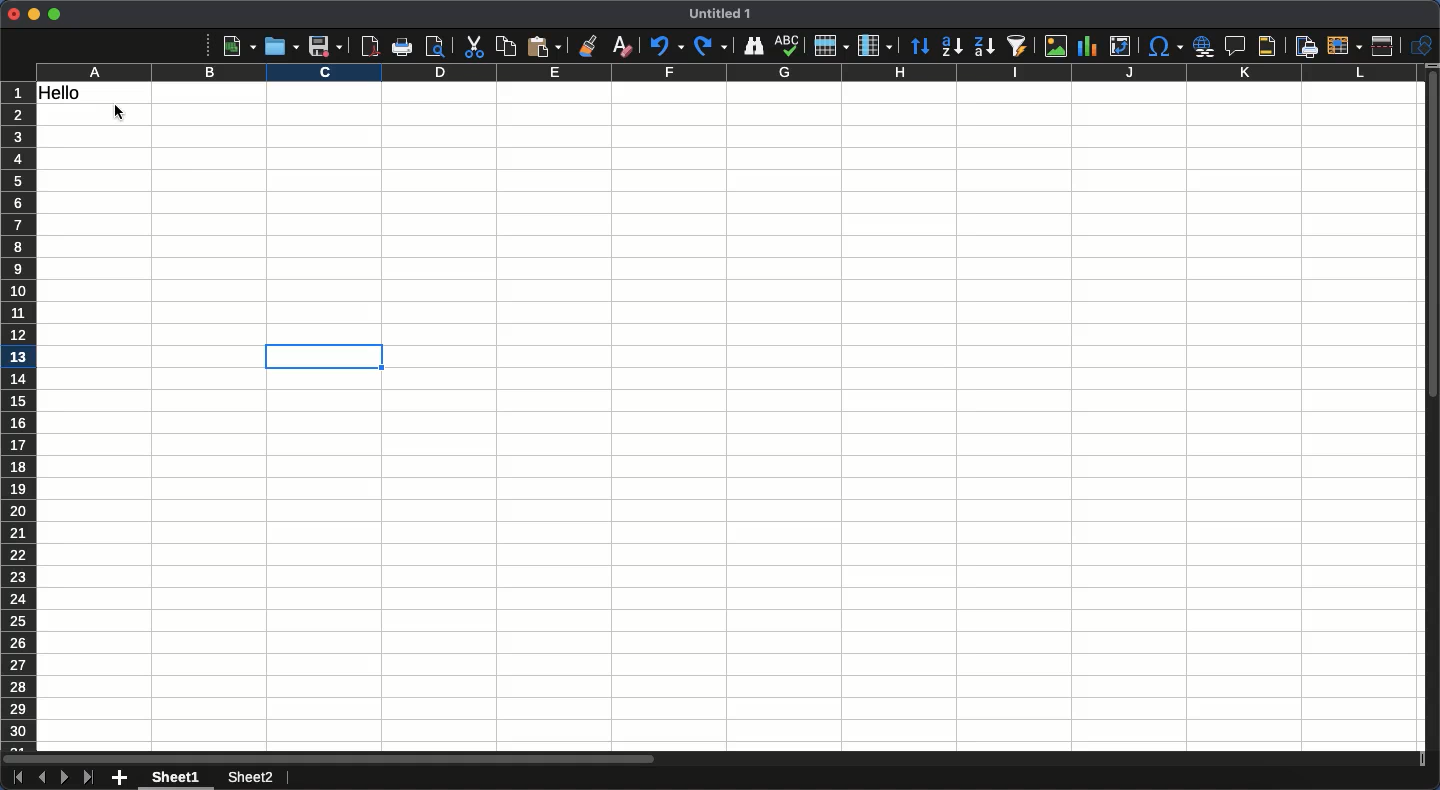 The height and width of the screenshot is (790, 1440). I want to click on Insert comment, so click(1238, 47).